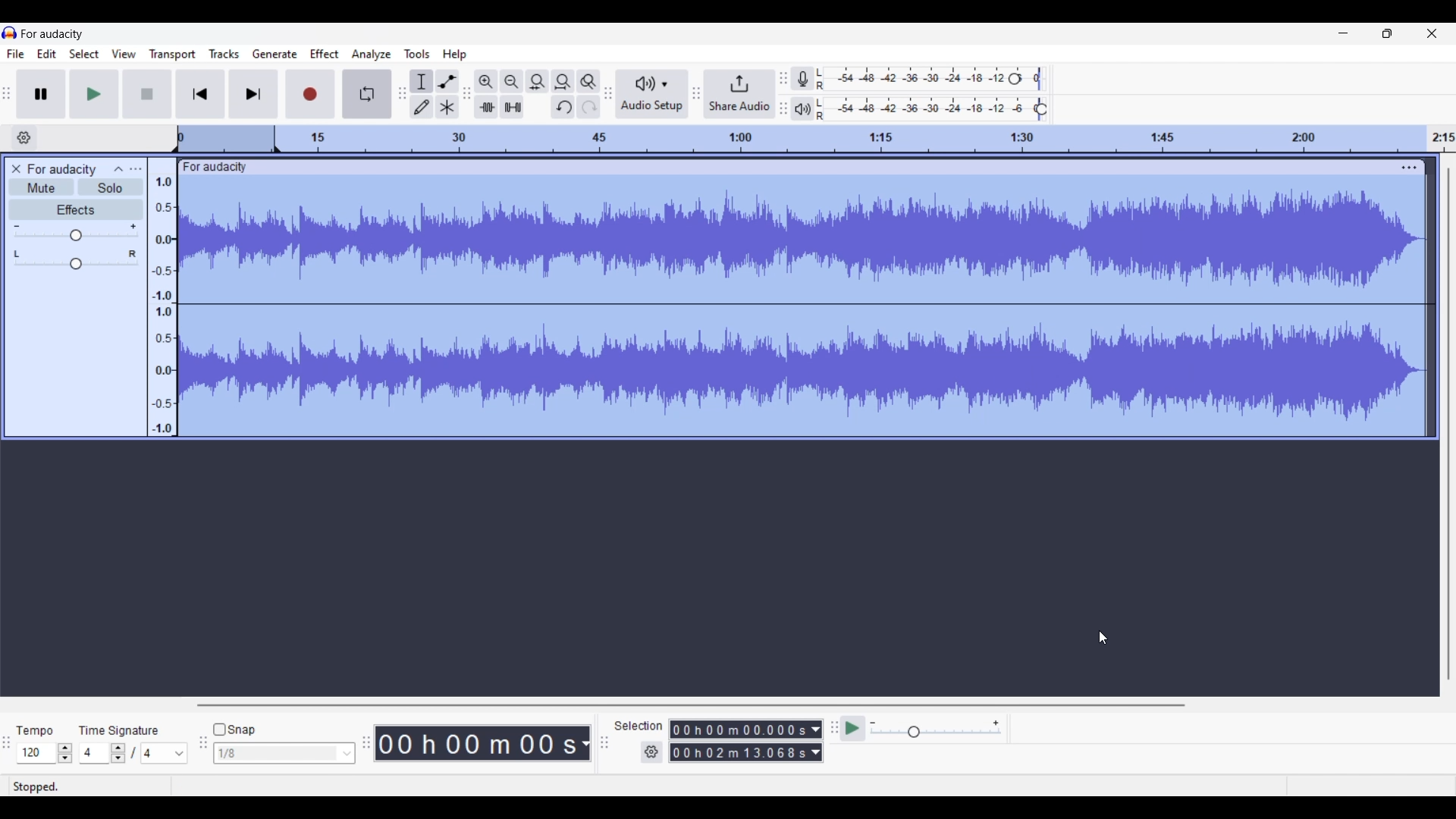 Image resolution: width=1456 pixels, height=819 pixels. What do you see at coordinates (803, 109) in the screenshot?
I see `Playback meter` at bounding box center [803, 109].